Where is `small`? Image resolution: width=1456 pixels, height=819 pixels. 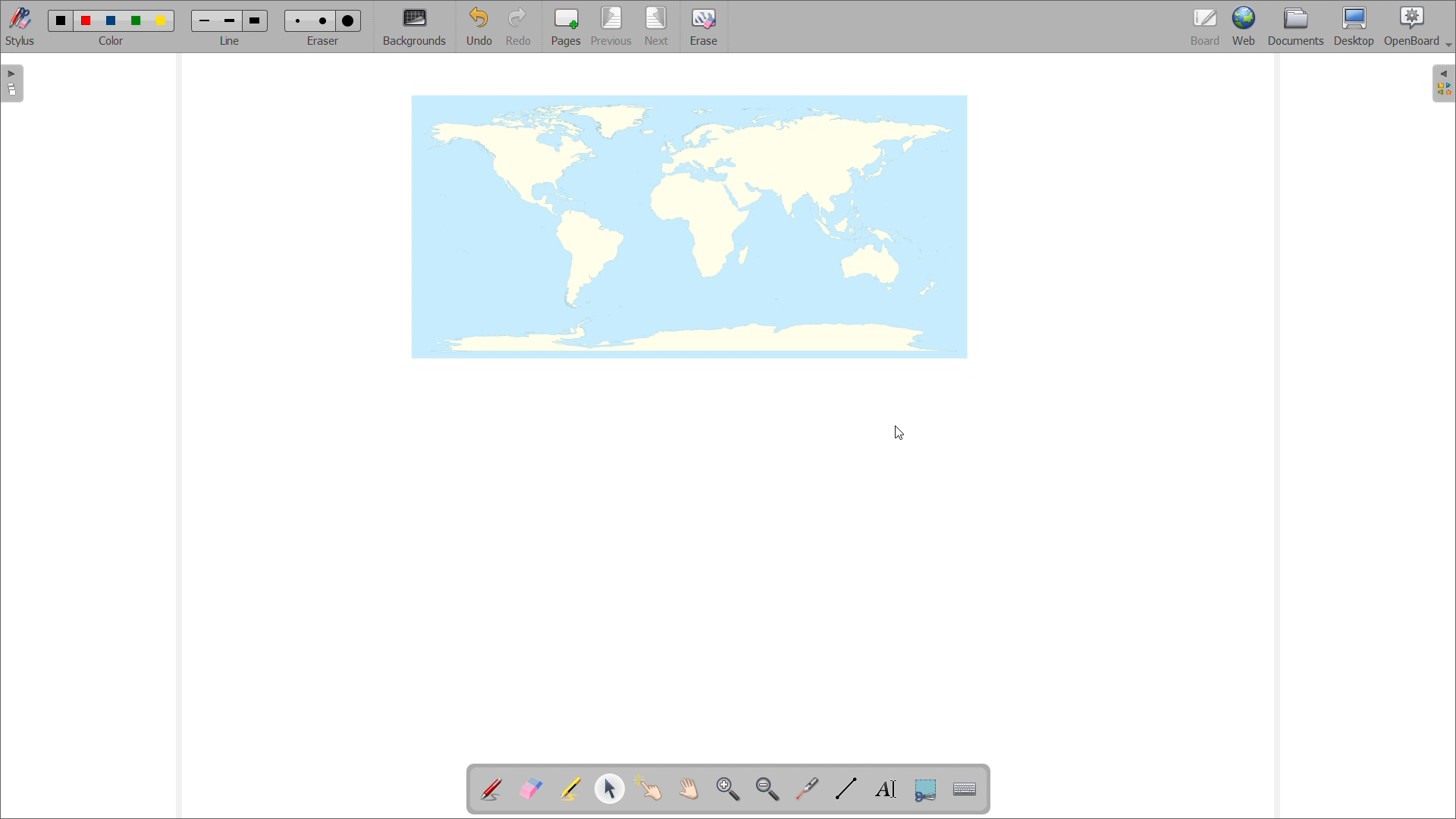 small is located at coordinates (203, 22).